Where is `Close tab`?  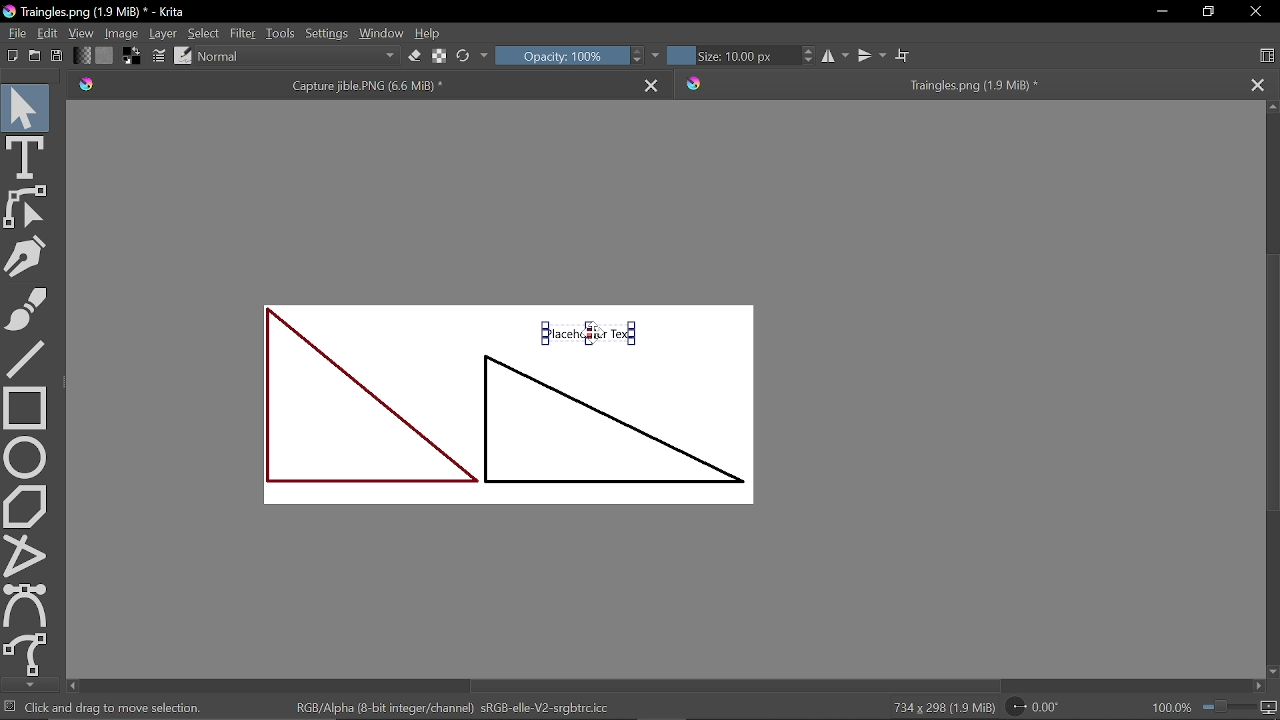 Close tab is located at coordinates (1263, 83).